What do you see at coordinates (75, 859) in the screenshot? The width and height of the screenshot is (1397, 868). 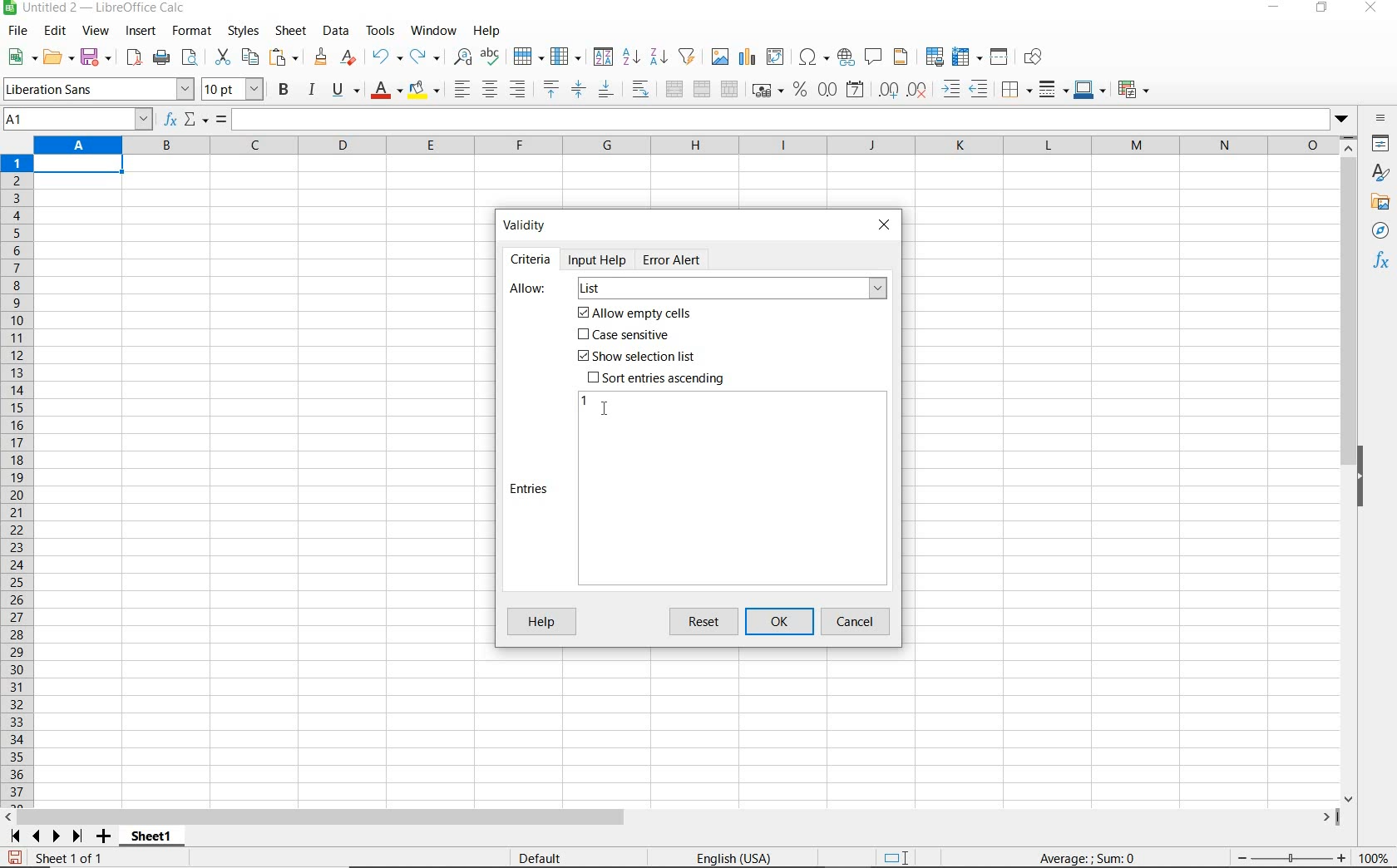 I see `sheet 1 of 1` at bounding box center [75, 859].